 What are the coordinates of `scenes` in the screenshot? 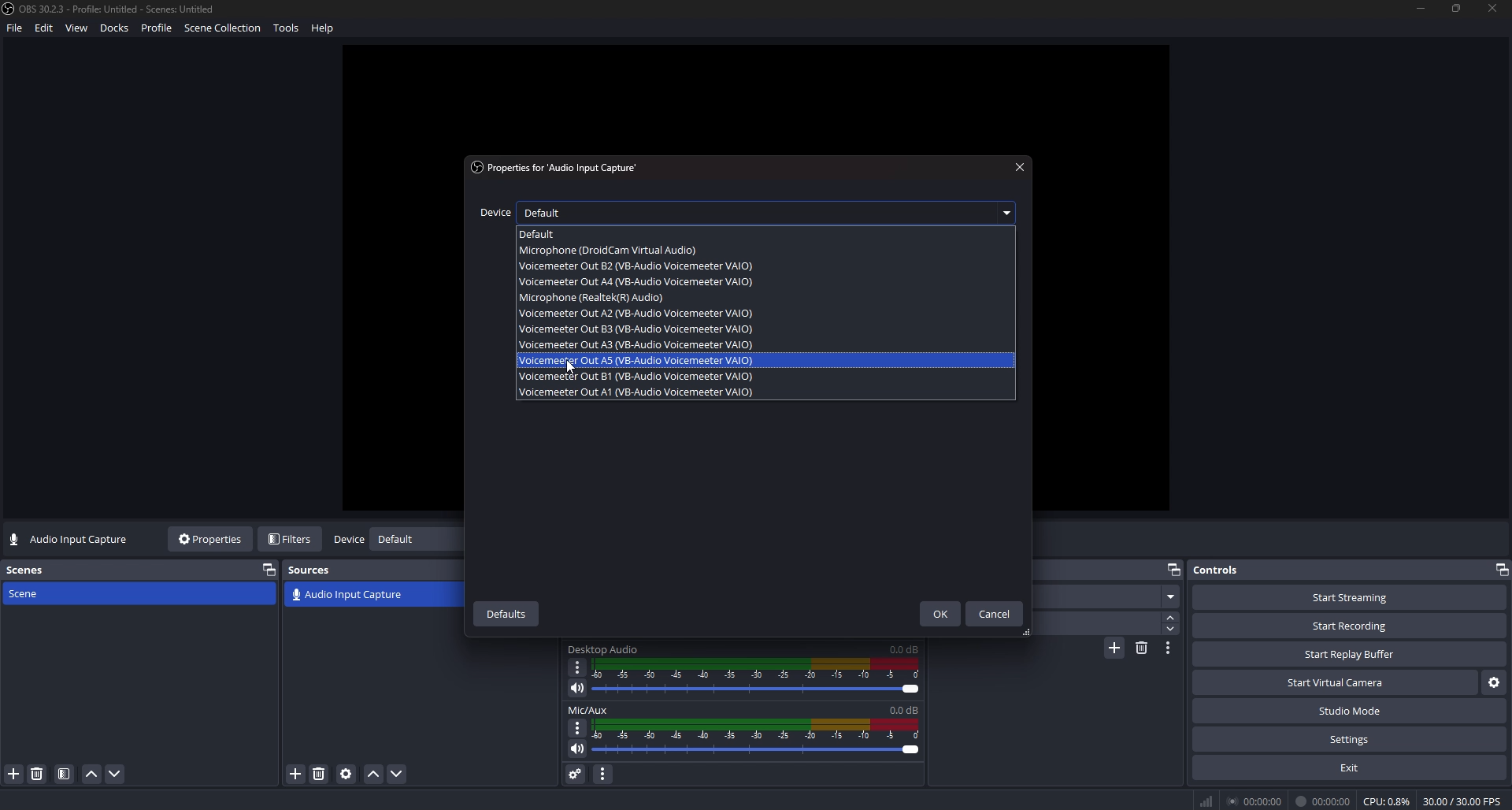 It's located at (29, 570).